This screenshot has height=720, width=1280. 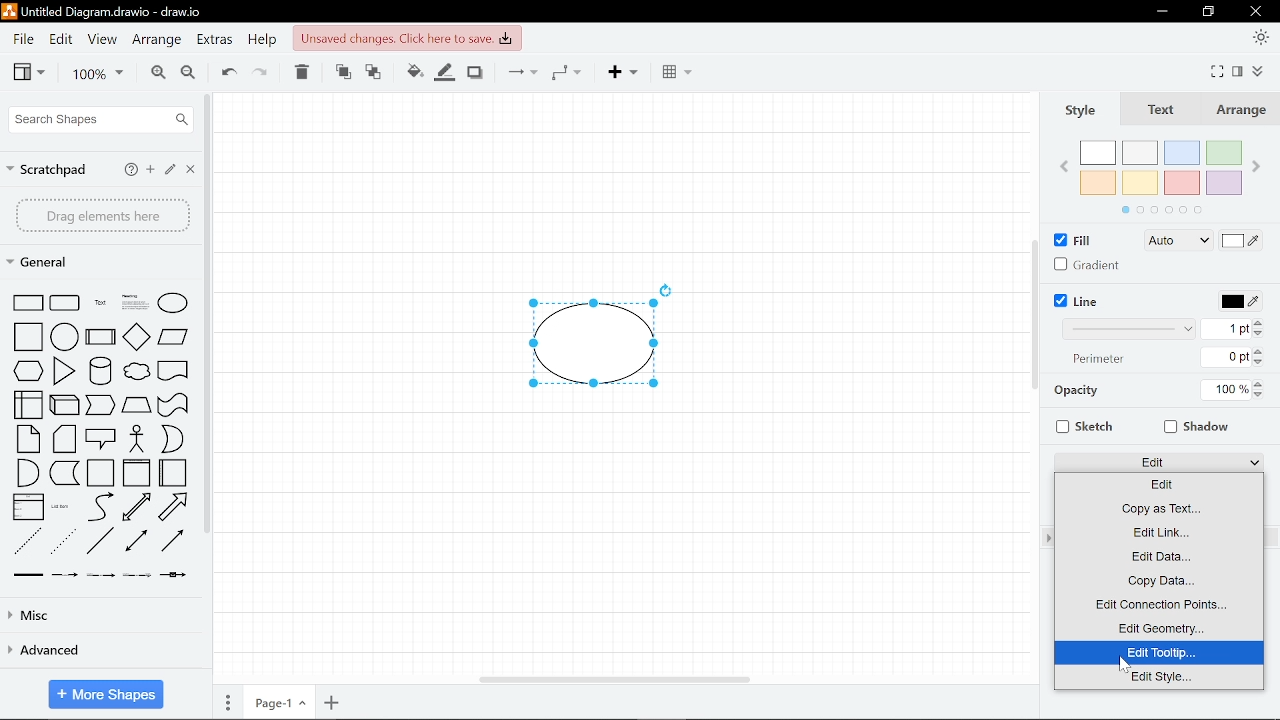 I want to click on Current file - Untitled Diagram.drawio - draw.io, so click(x=109, y=11).